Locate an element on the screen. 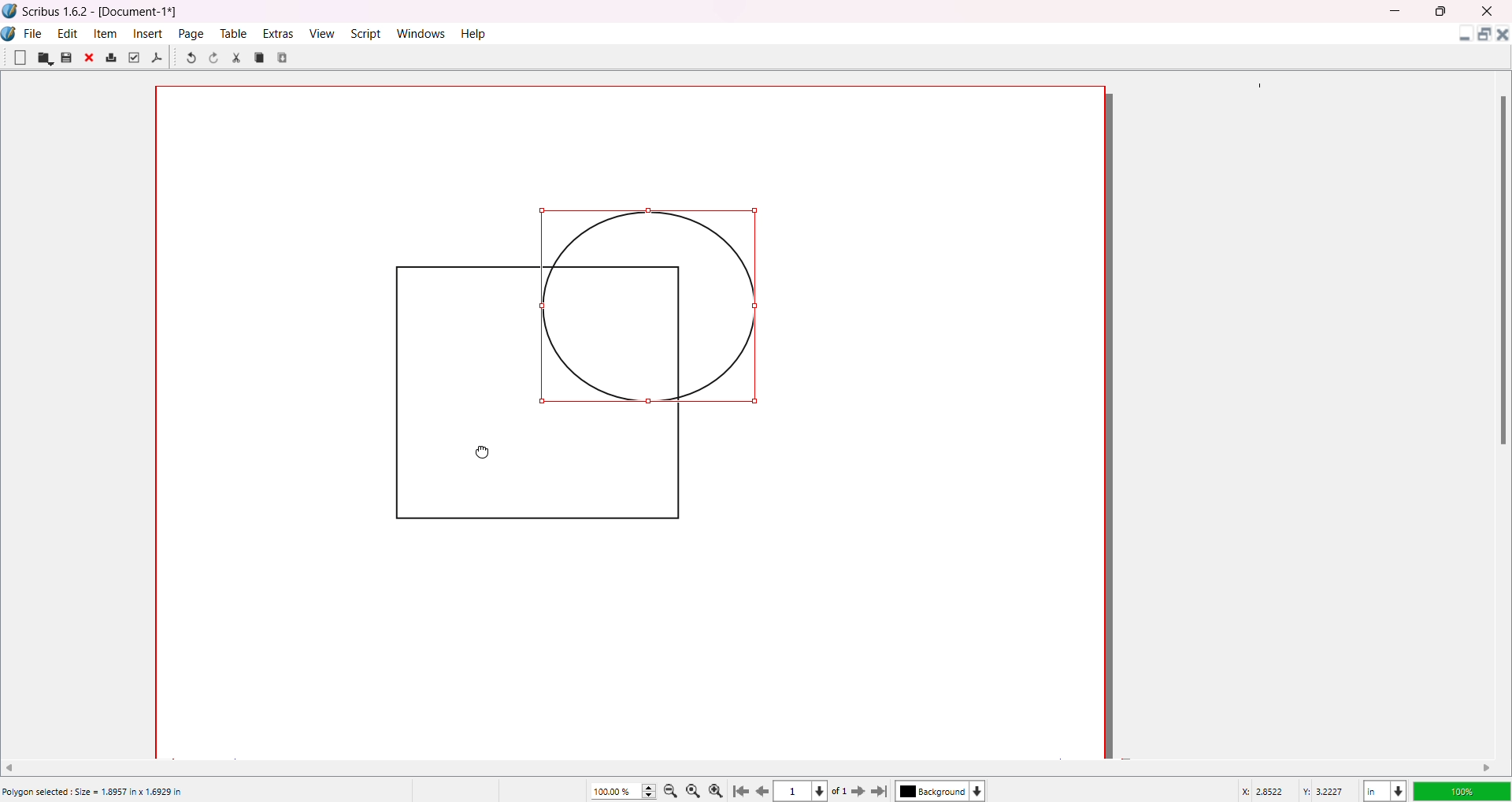 This screenshot has height=802, width=1512. Windows is located at coordinates (424, 33).